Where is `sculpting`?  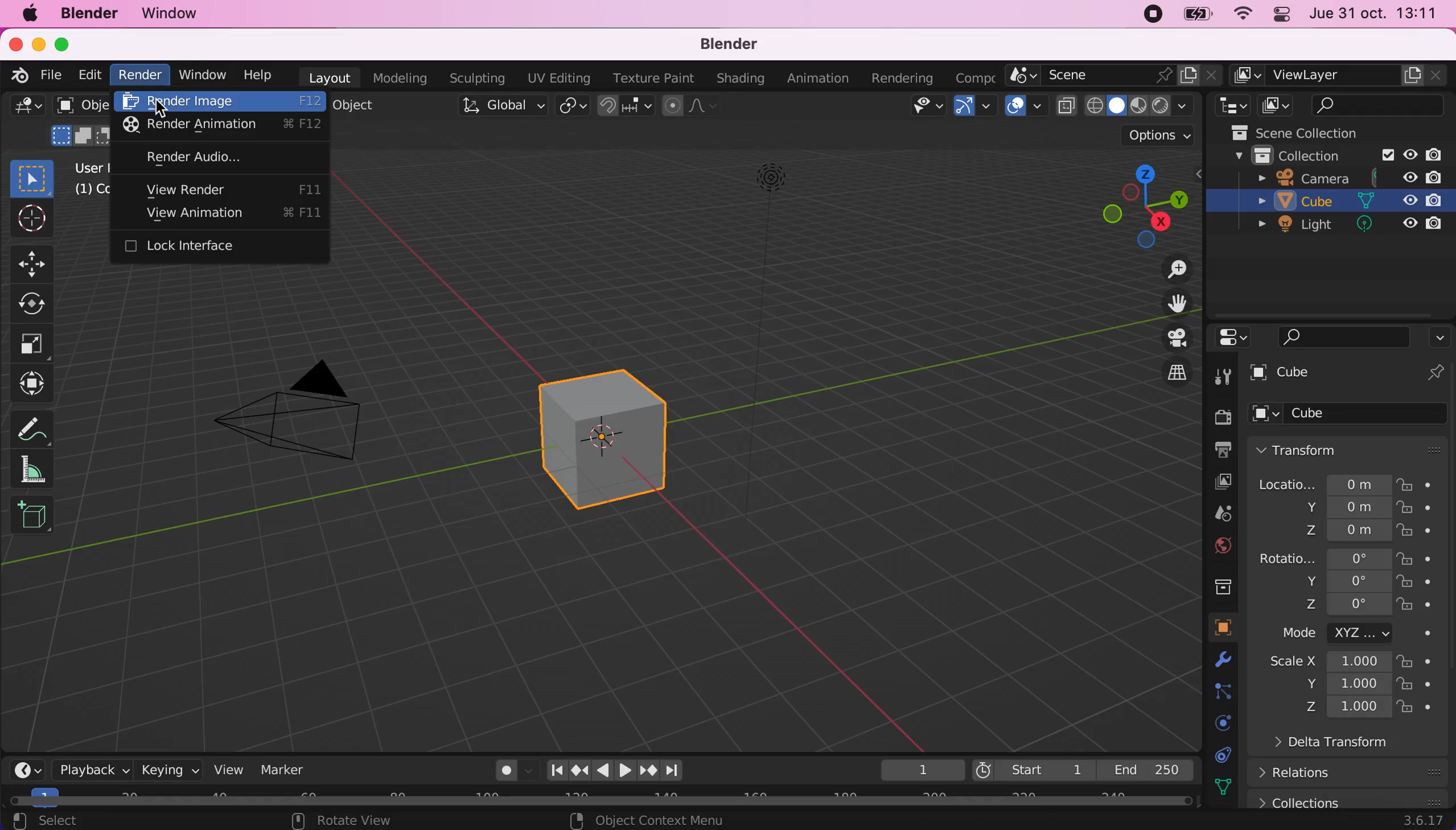 sculpting is located at coordinates (478, 77).